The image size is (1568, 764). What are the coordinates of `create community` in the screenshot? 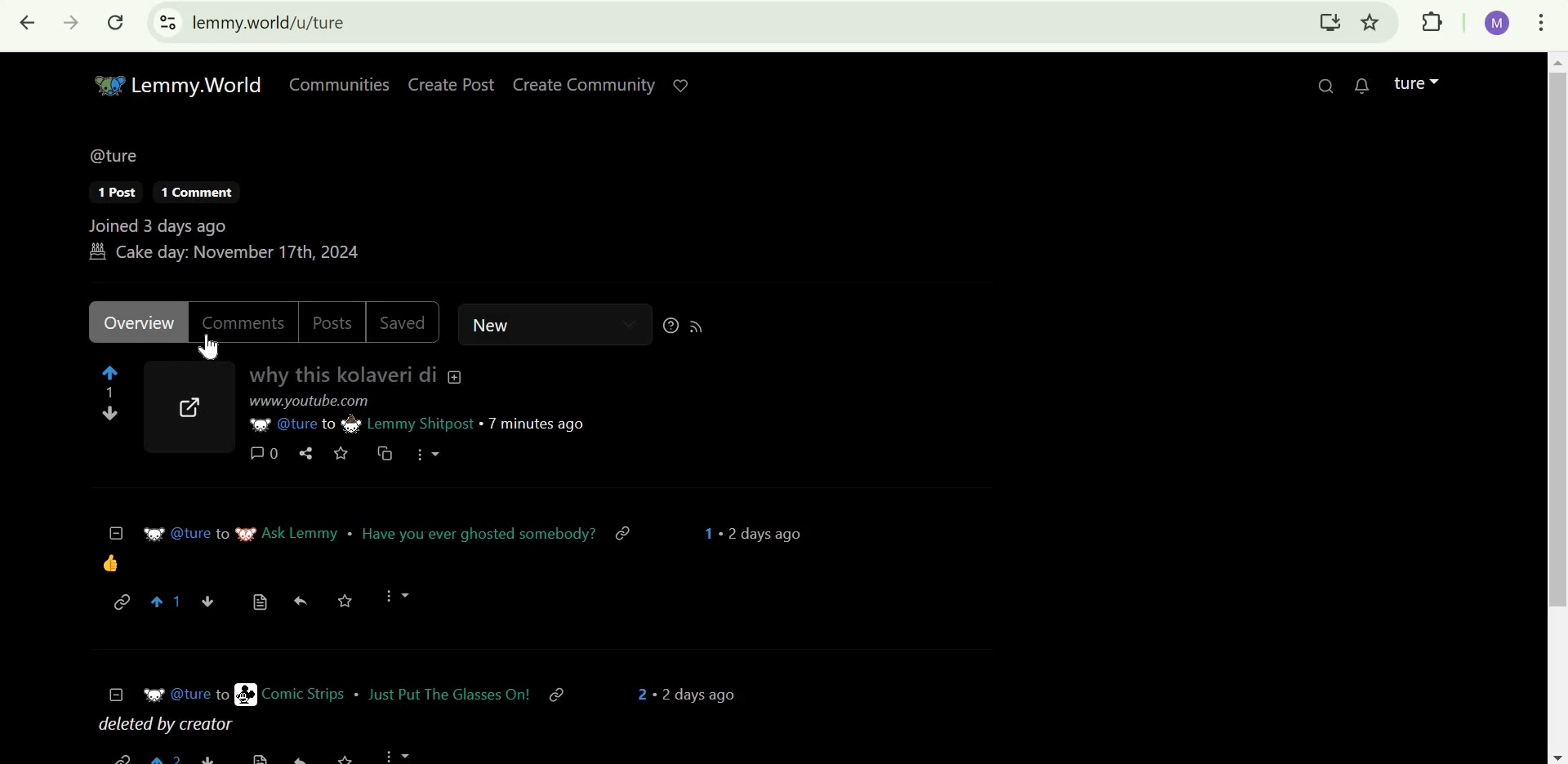 It's located at (584, 86).